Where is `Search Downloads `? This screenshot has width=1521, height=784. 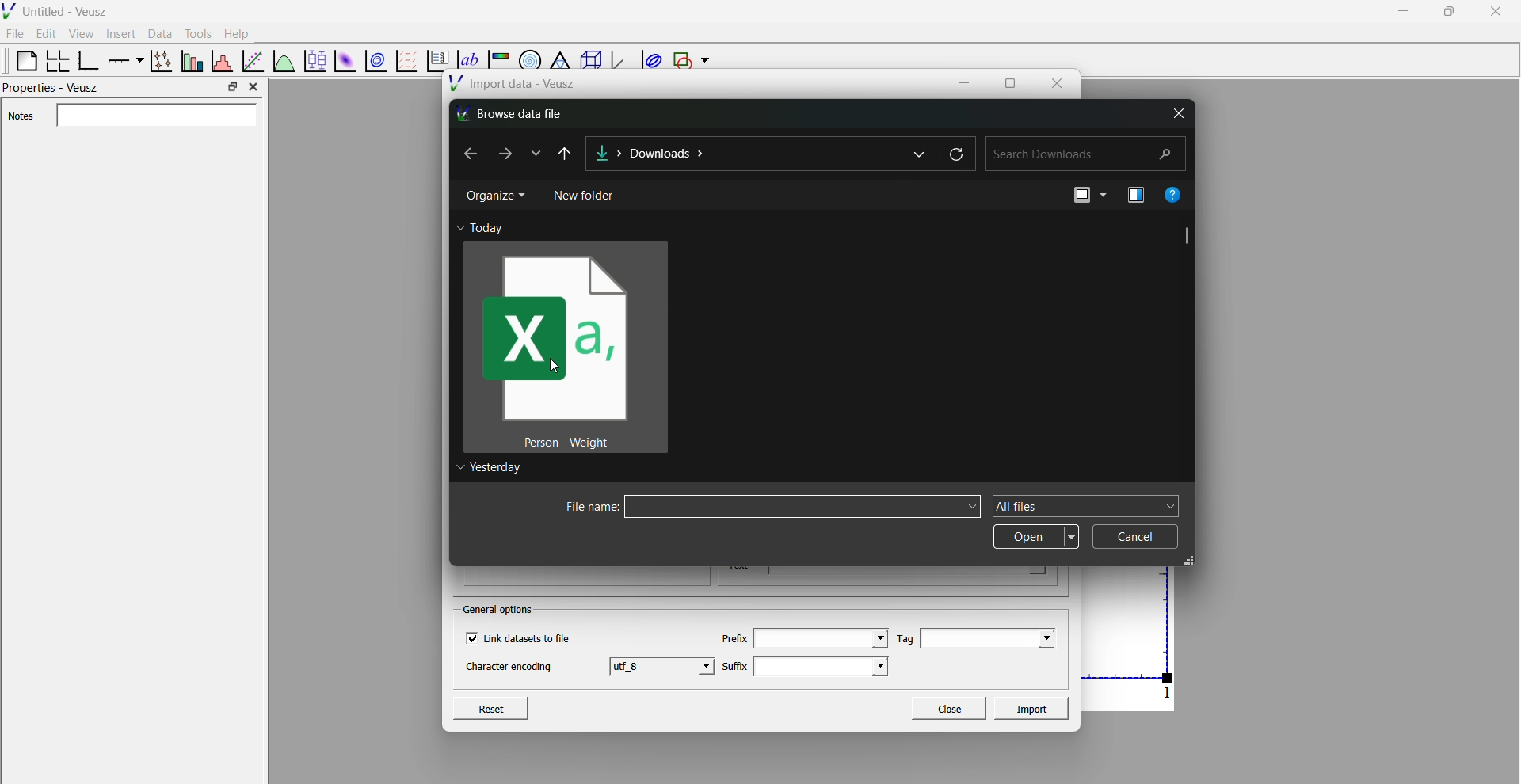 Search Downloads  is located at coordinates (1083, 156).